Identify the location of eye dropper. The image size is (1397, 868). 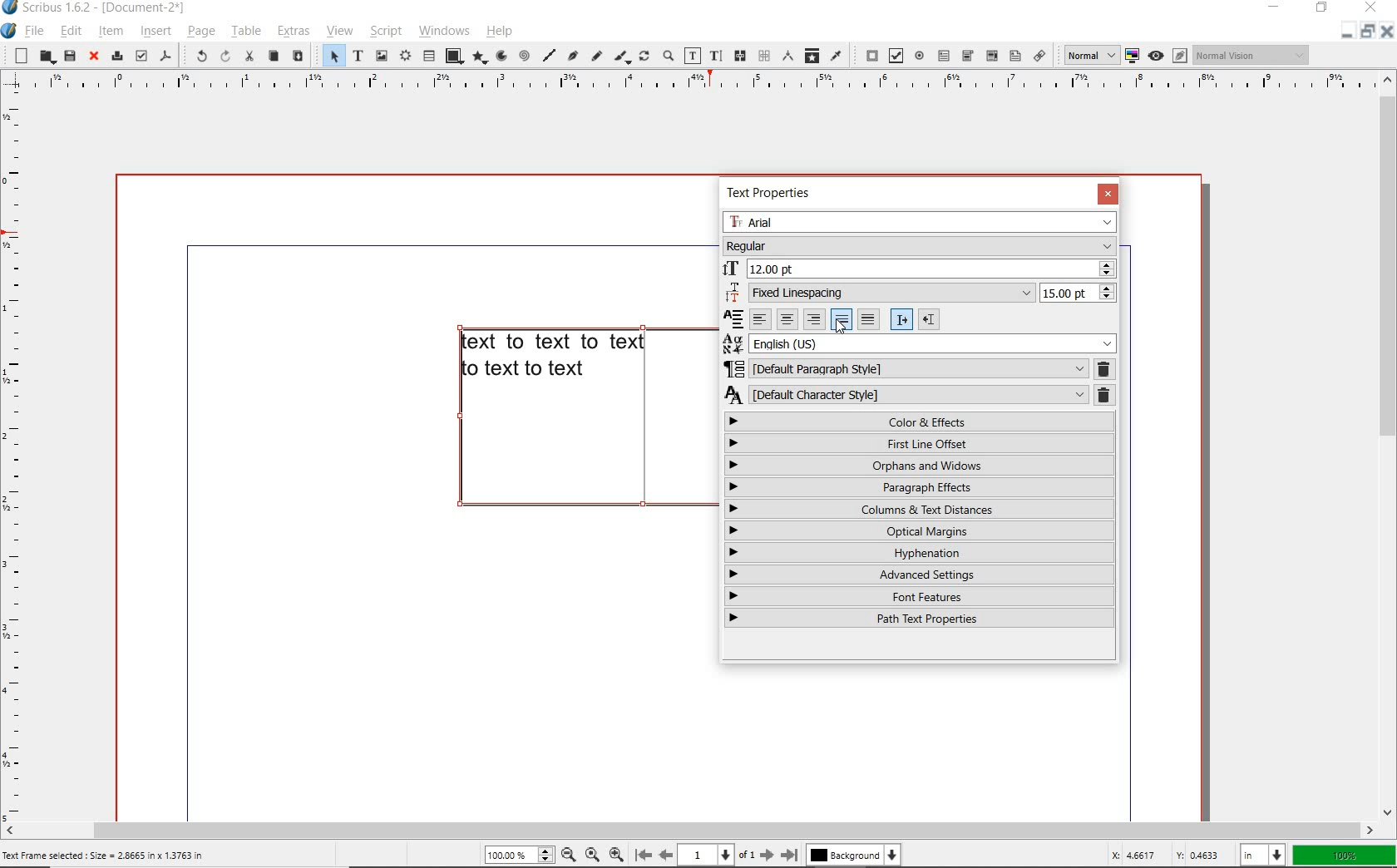
(837, 56).